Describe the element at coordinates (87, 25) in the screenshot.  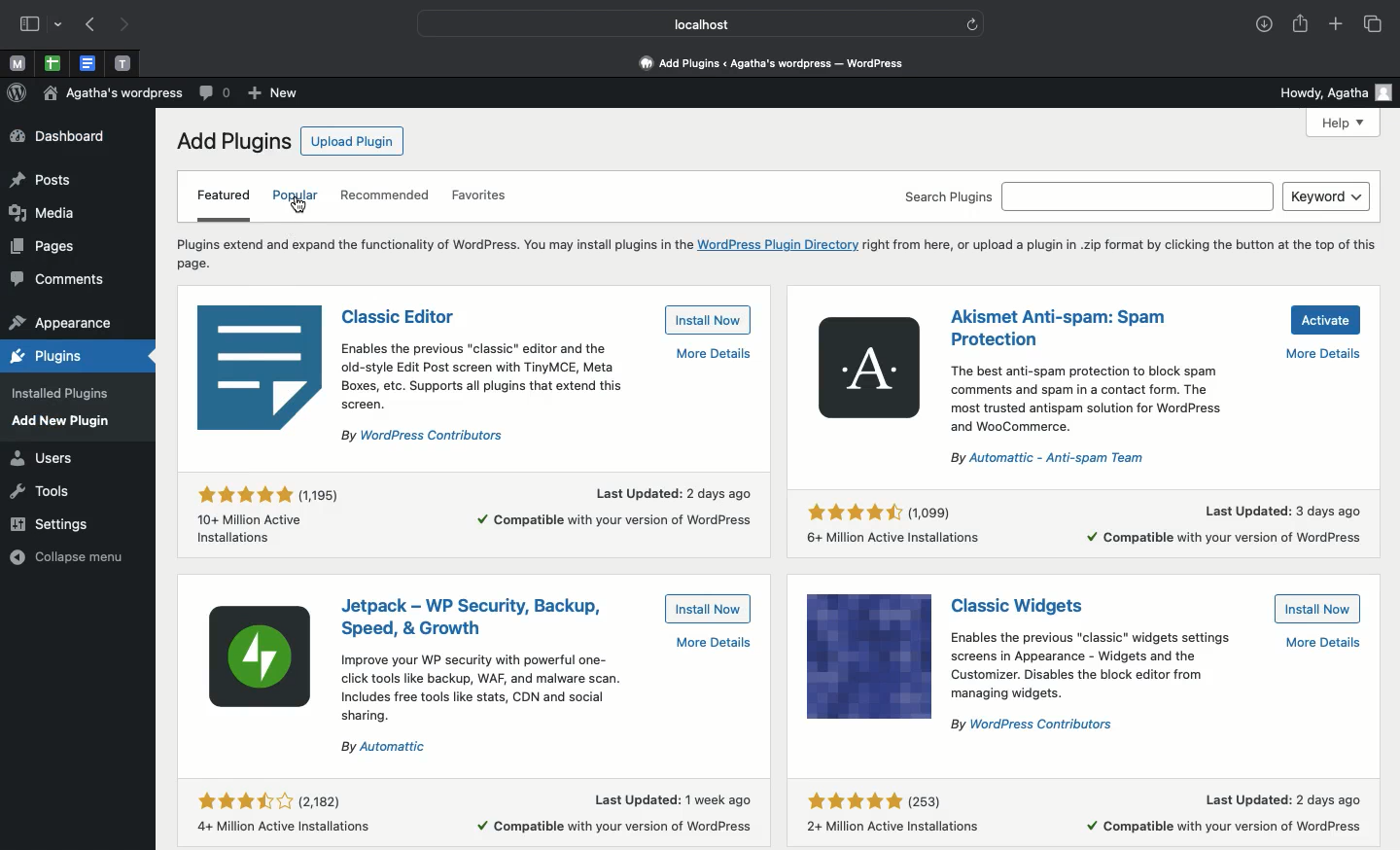
I see `Previous page` at that location.